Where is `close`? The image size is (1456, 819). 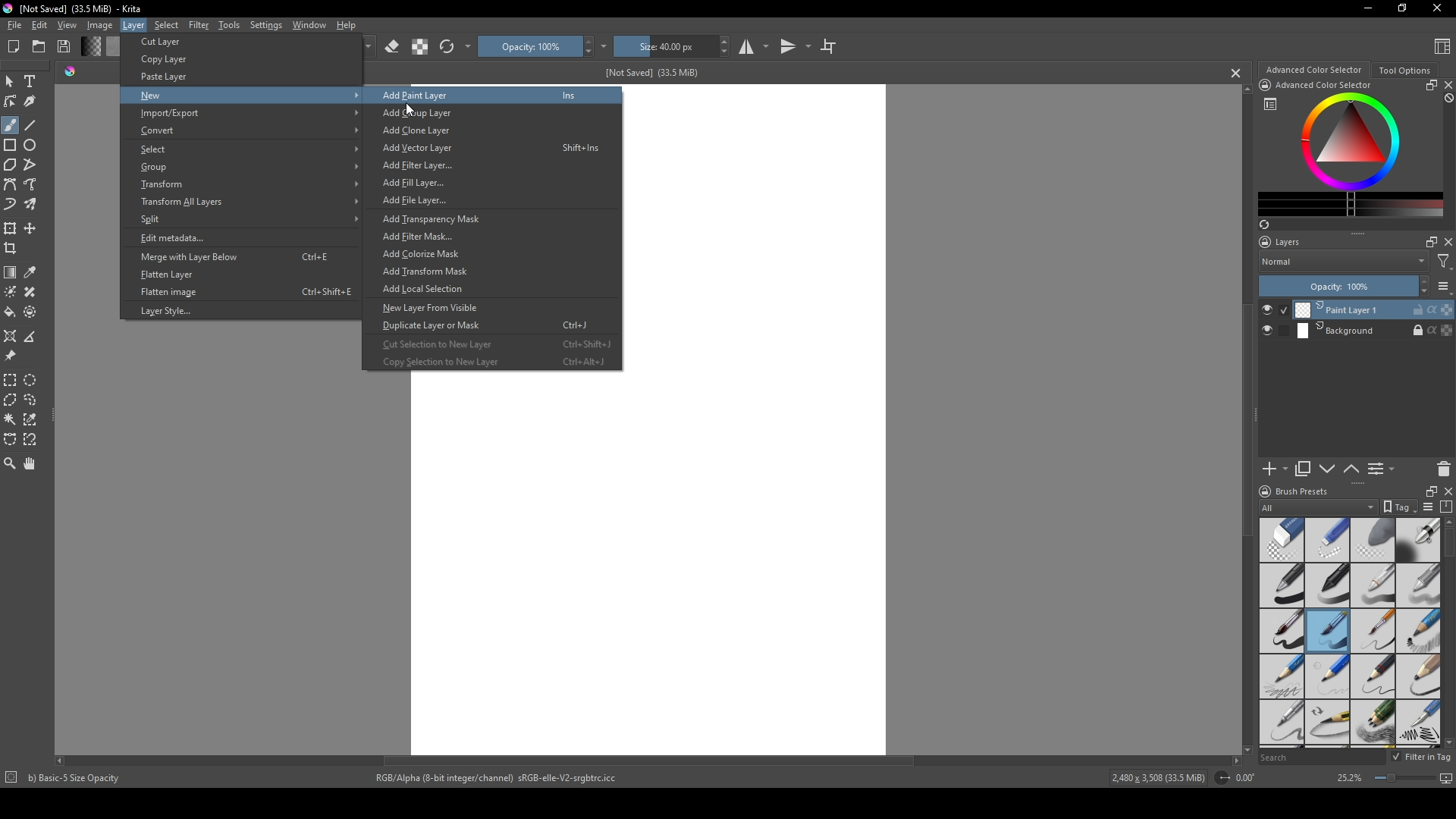
close is located at coordinates (1447, 85).